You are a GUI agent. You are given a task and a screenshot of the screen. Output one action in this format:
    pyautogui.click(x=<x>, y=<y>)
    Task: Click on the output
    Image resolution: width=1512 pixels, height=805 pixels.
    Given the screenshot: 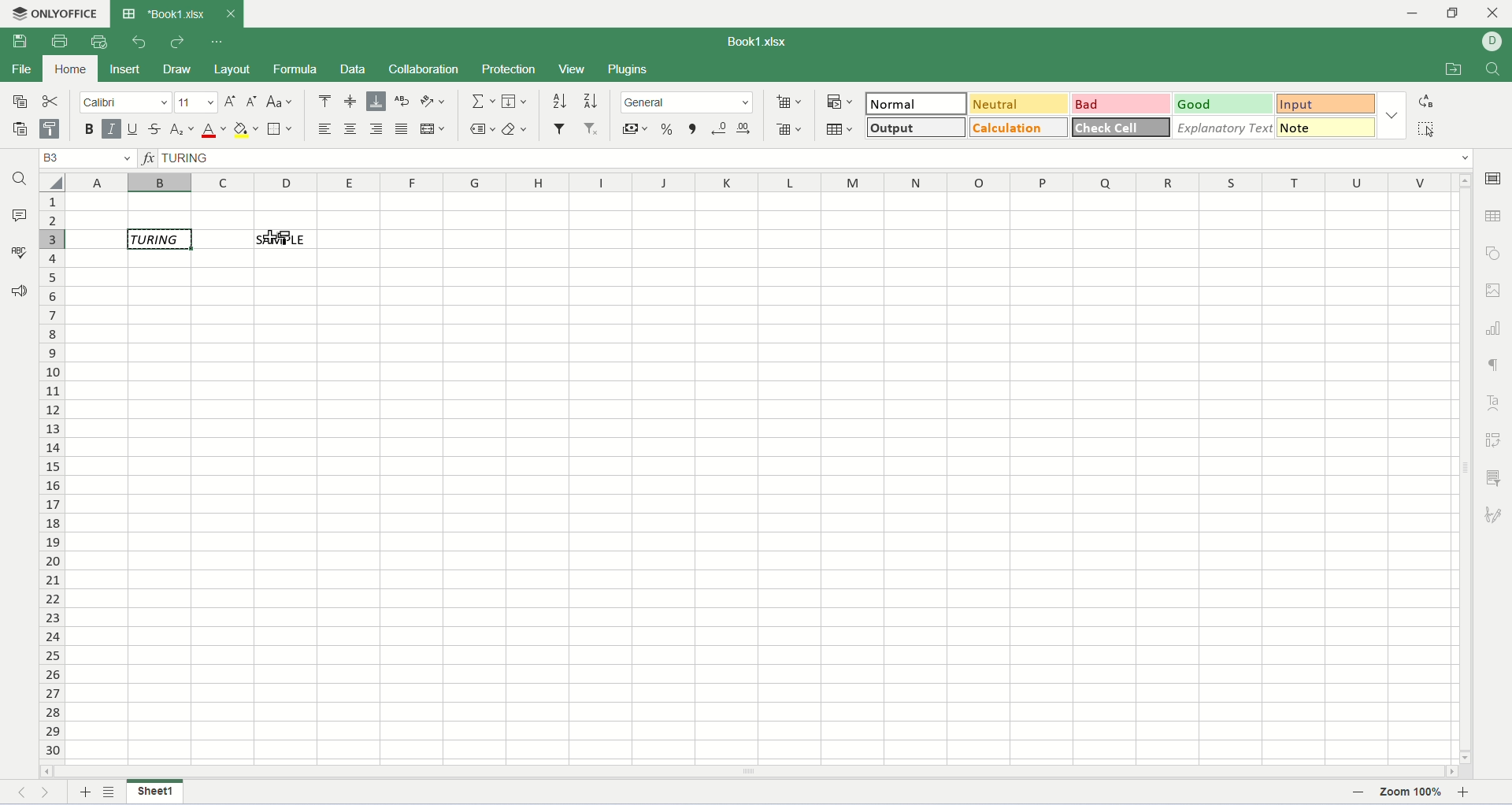 What is the action you would take?
    pyautogui.click(x=917, y=127)
    